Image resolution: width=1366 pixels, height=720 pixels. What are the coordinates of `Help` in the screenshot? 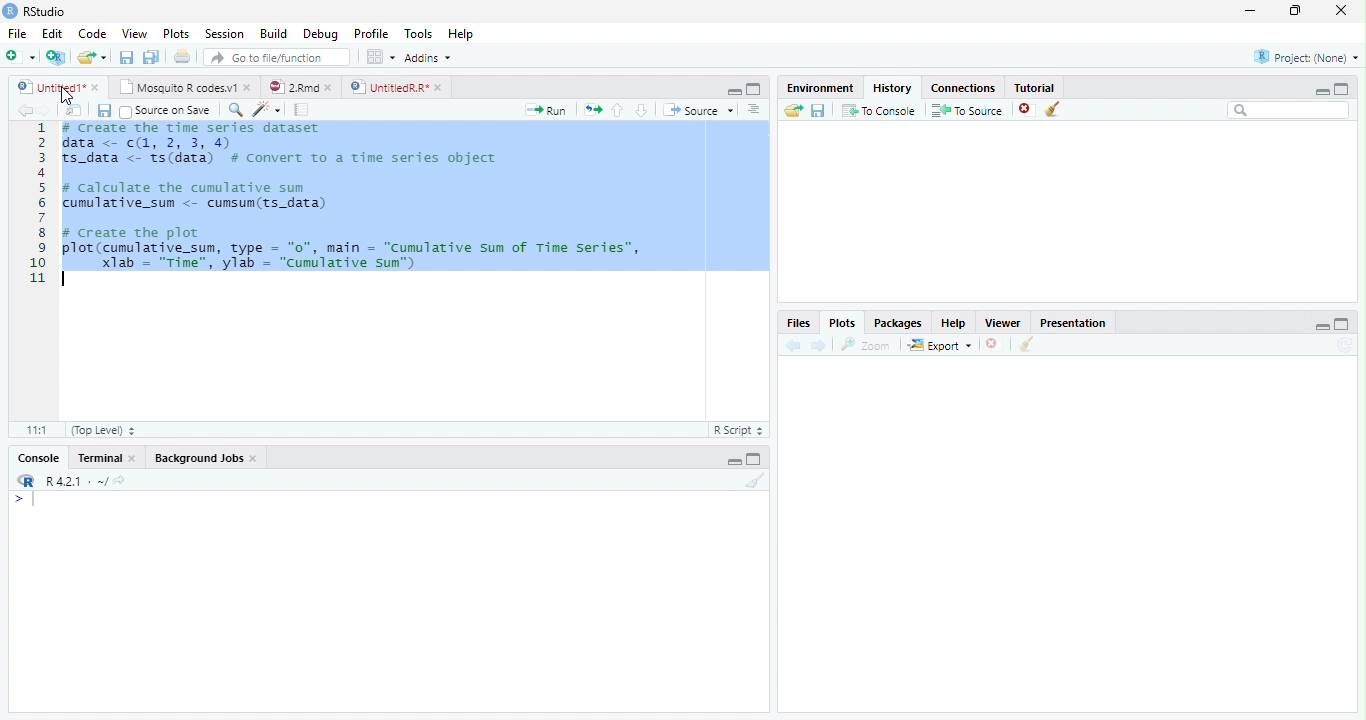 It's located at (953, 324).